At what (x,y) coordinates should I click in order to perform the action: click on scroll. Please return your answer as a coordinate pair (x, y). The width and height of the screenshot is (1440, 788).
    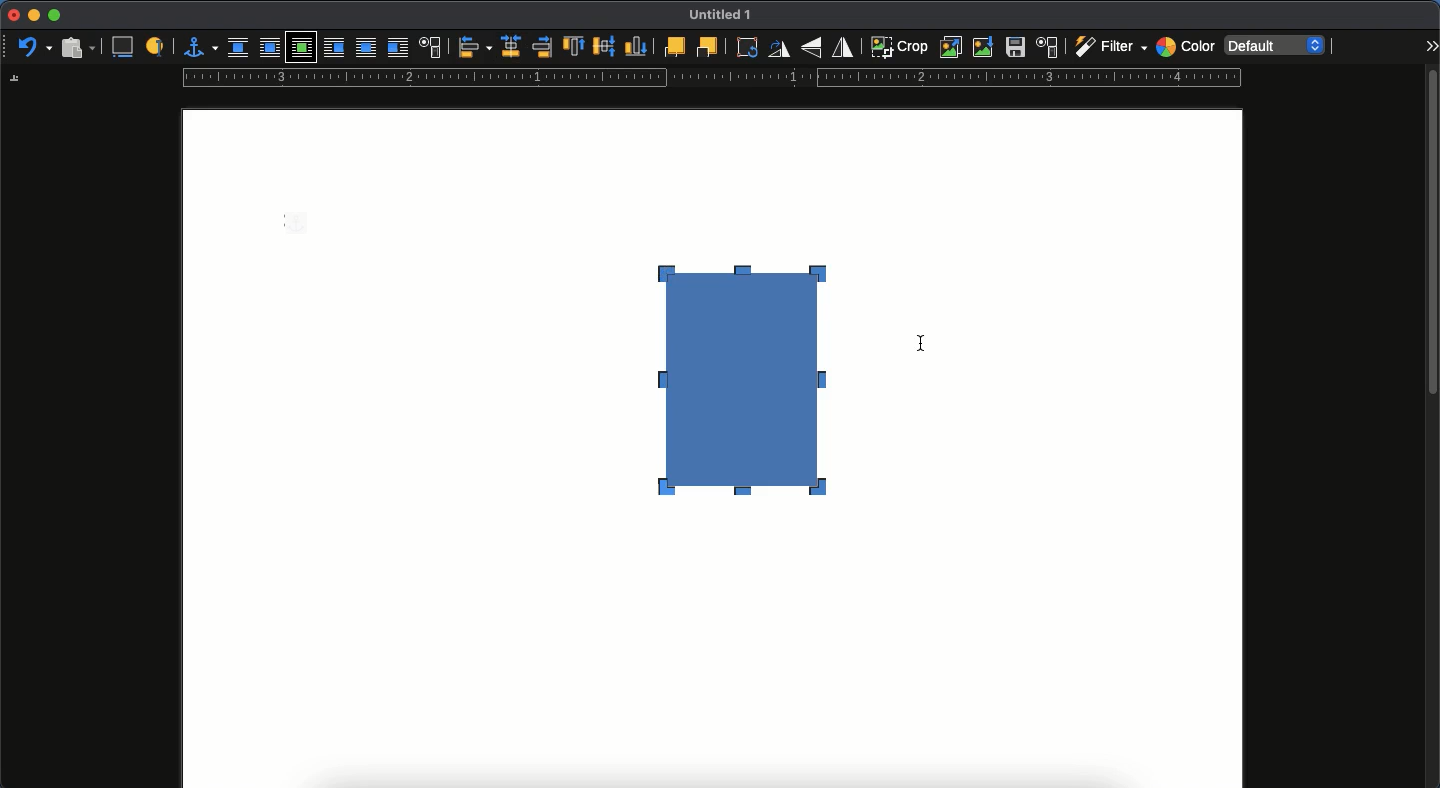
    Looking at the image, I should click on (1433, 427).